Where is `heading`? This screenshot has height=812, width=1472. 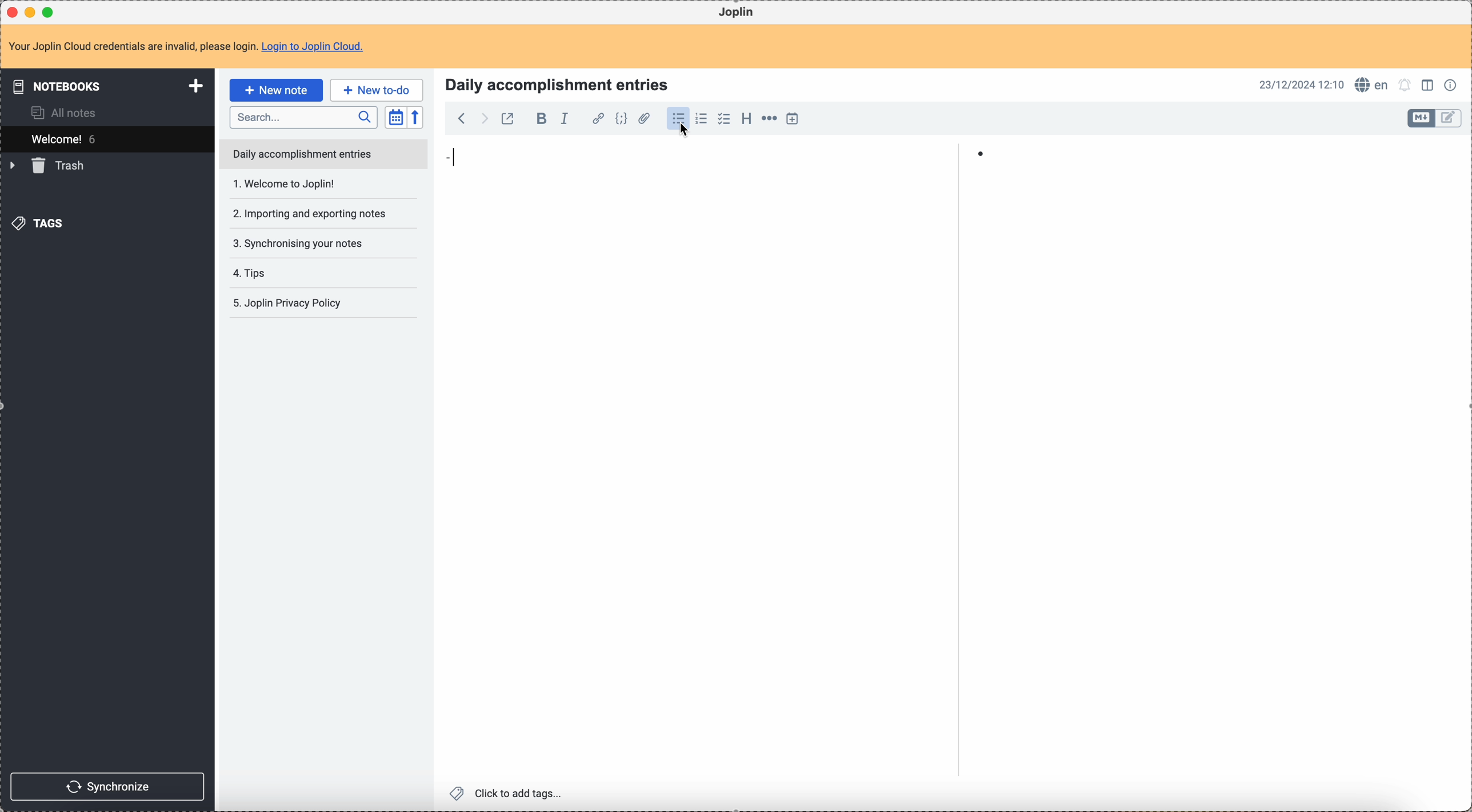 heading is located at coordinates (746, 119).